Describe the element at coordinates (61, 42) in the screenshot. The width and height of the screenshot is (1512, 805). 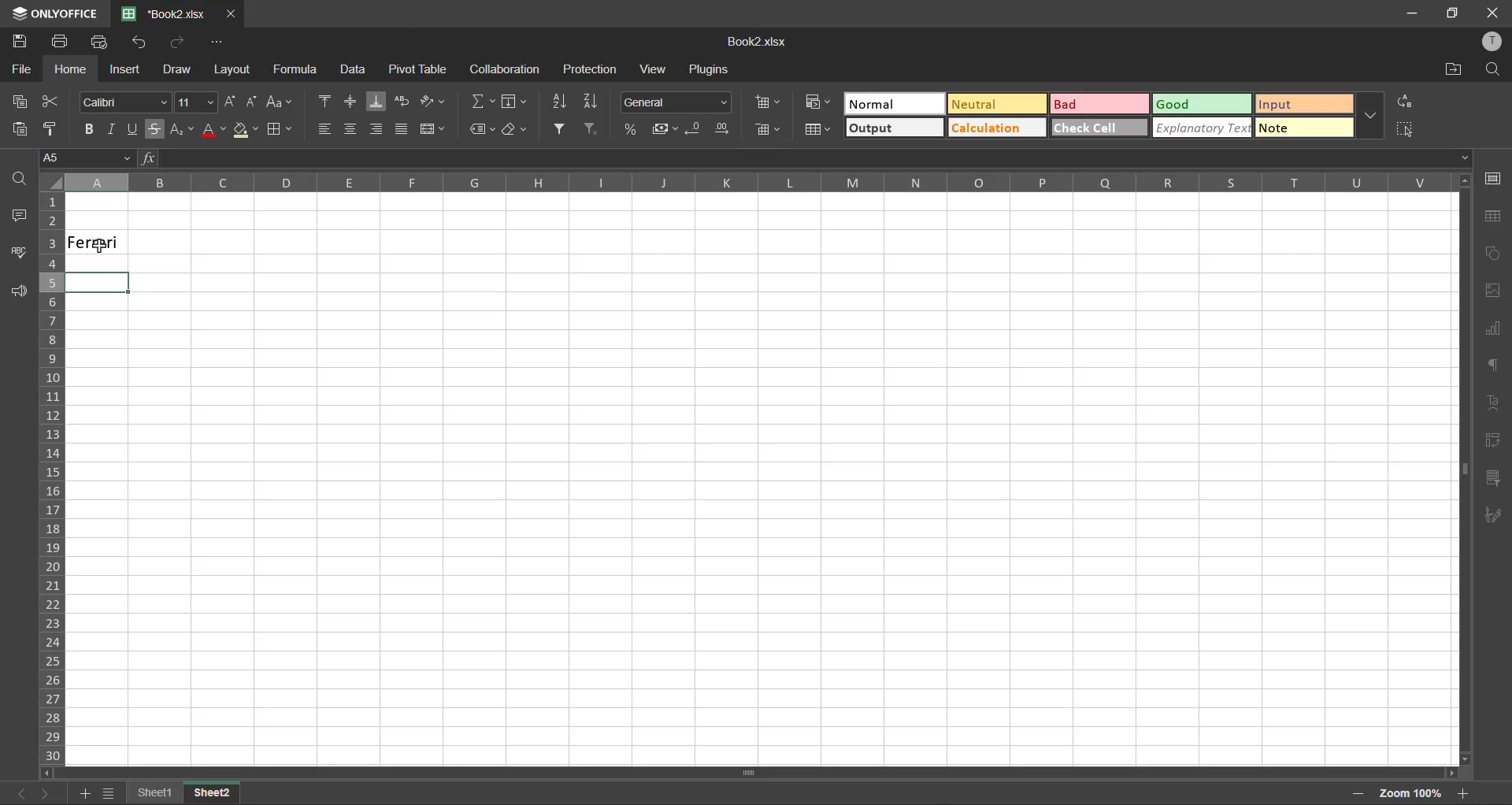
I see `print` at that location.